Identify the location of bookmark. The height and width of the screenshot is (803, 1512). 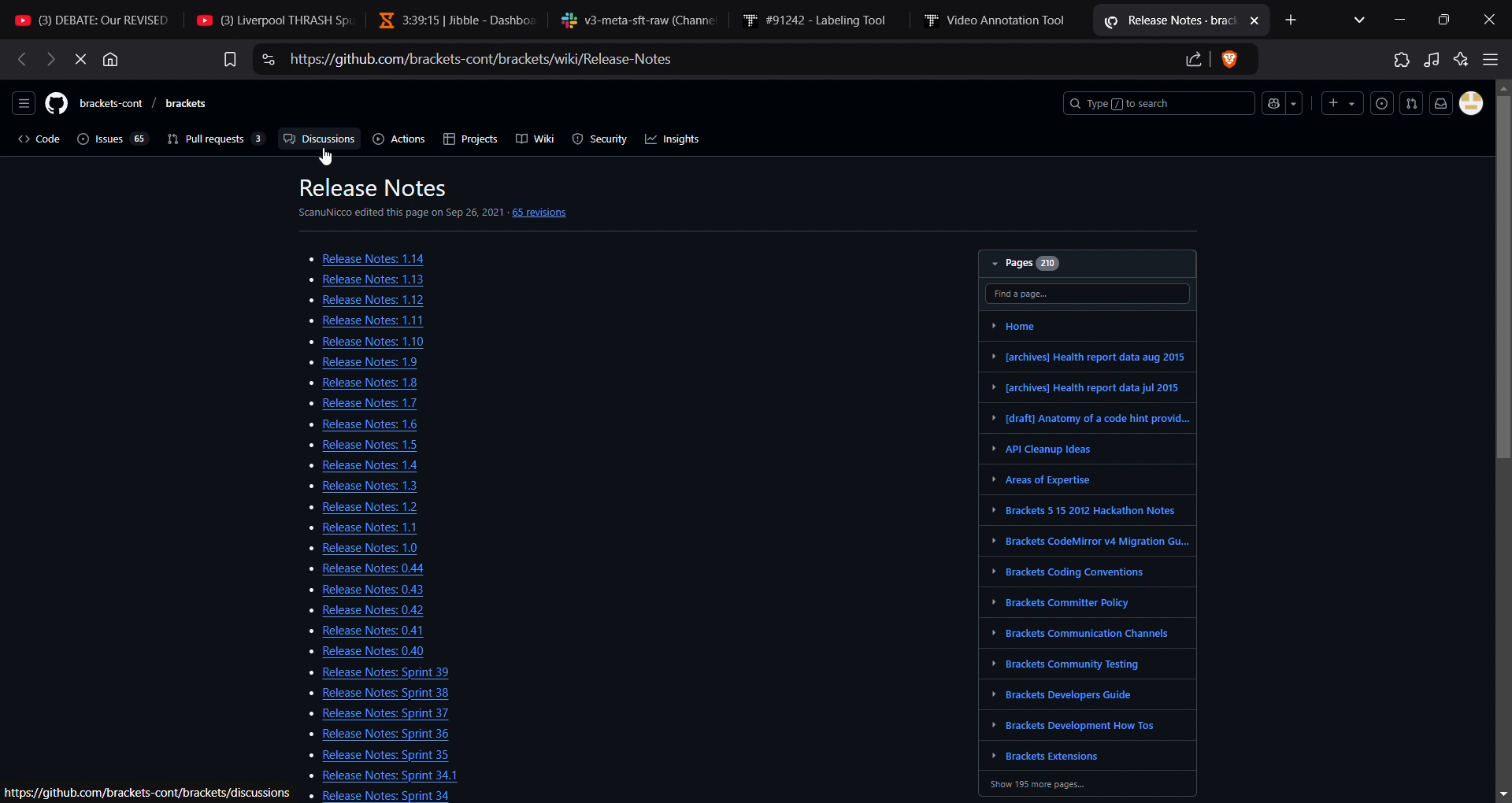
(227, 58).